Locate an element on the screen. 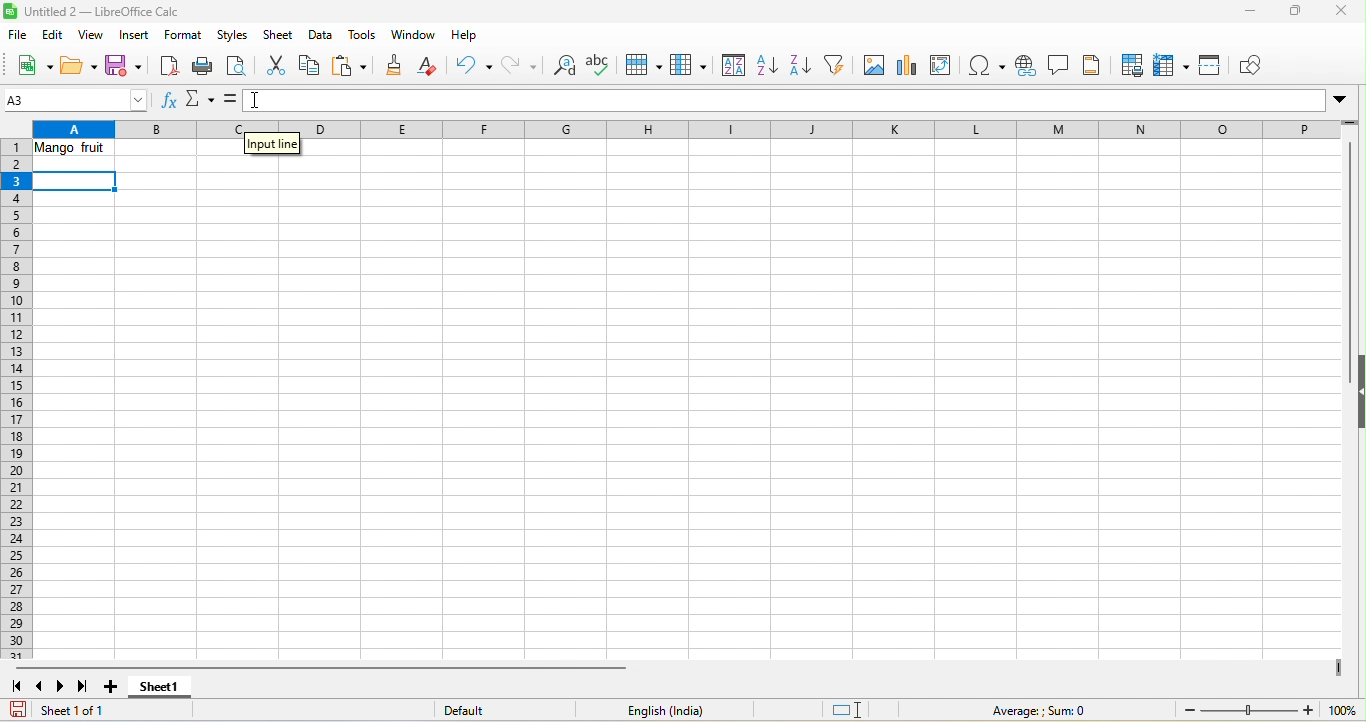 Image resolution: width=1366 pixels, height=722 pixels. maximize is located at coordinates (1292, 13).